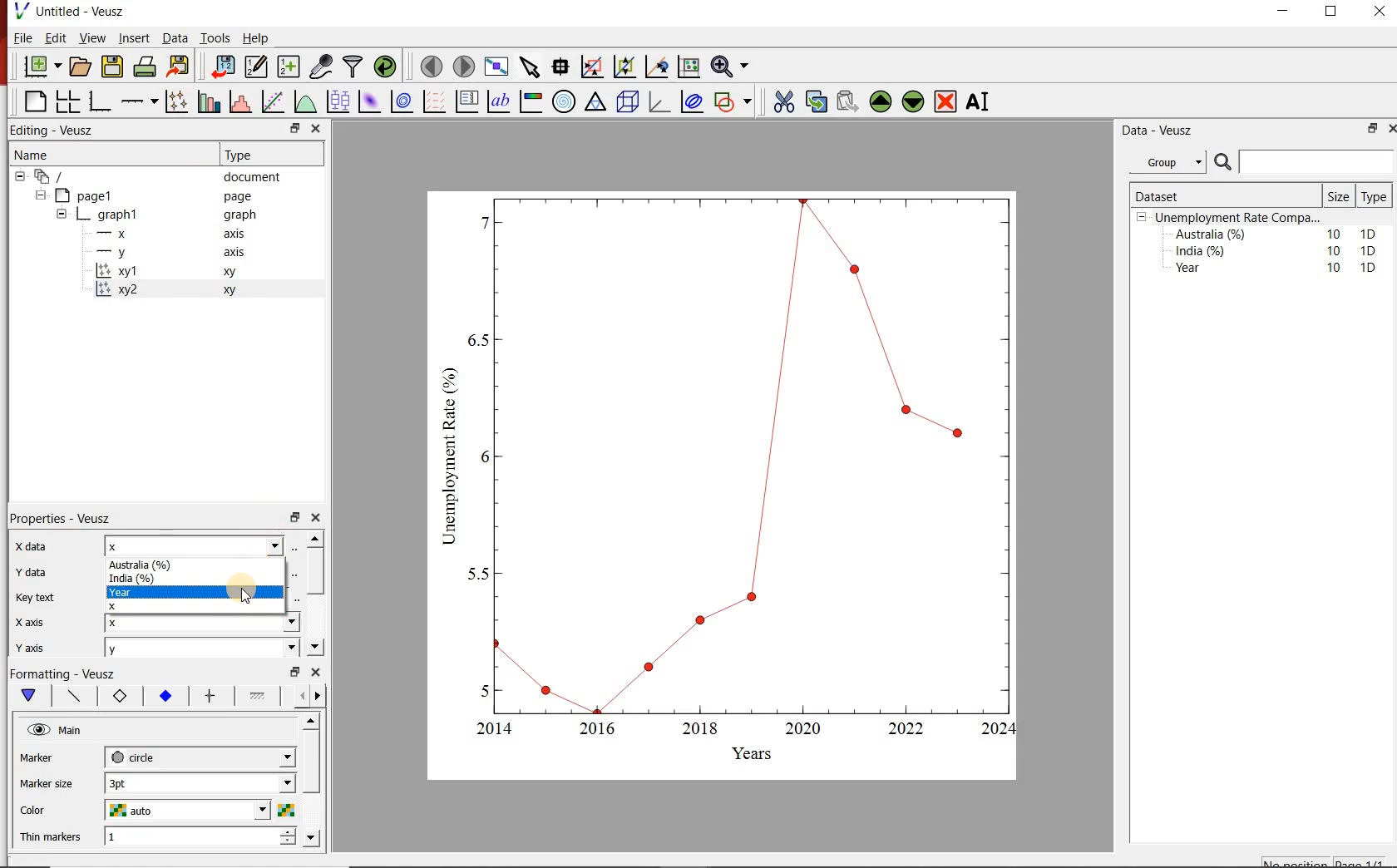 The width and height of the screenshot is (1397, 868). What do you see at coordinates (1277, 234) in the screenshot?
I see `Australia (%) 10 1D` at bounding box center [1277, 234].